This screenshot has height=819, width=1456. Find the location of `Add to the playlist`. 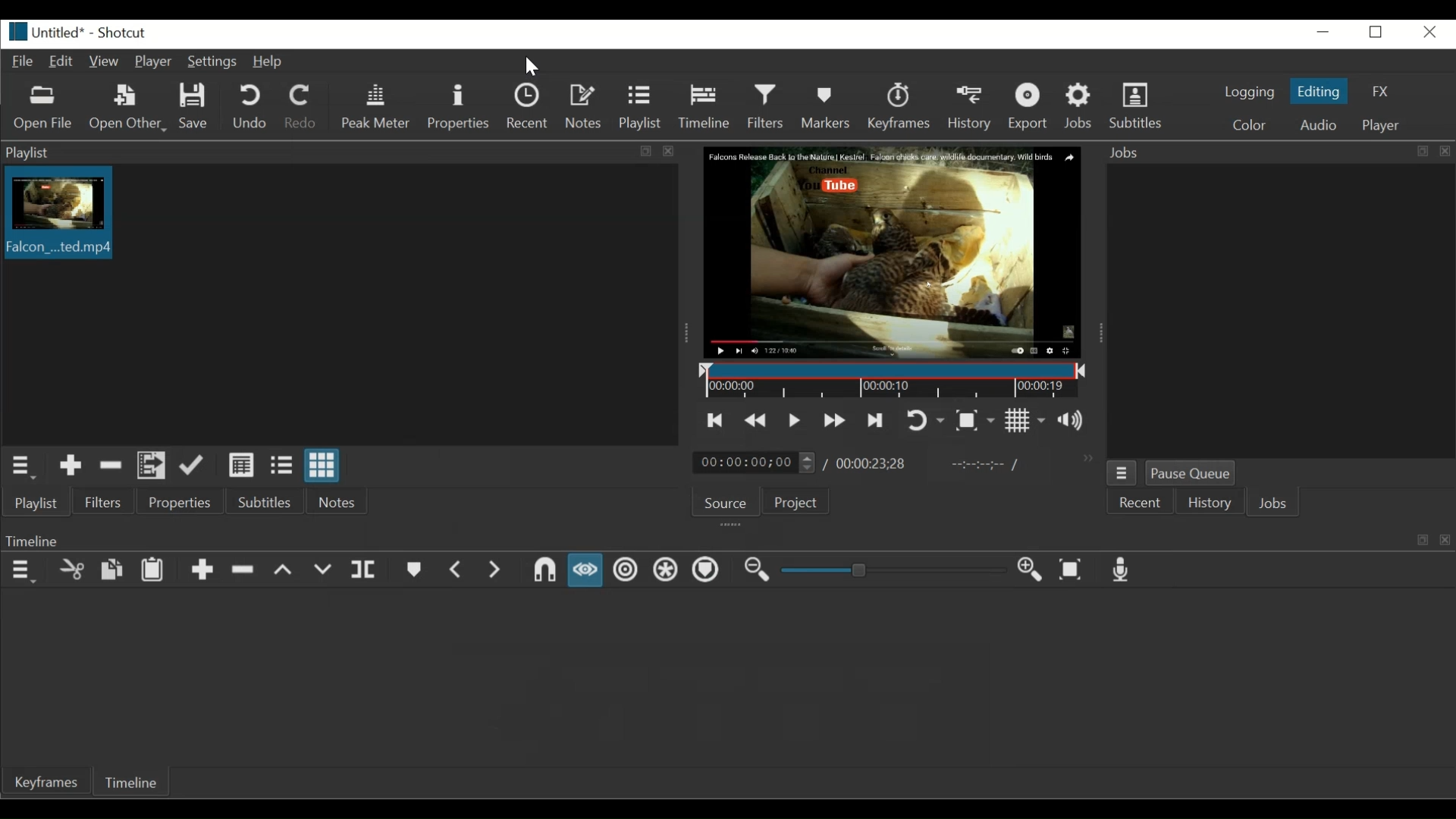

Add to the playlist is located at coordinates (70, 467).